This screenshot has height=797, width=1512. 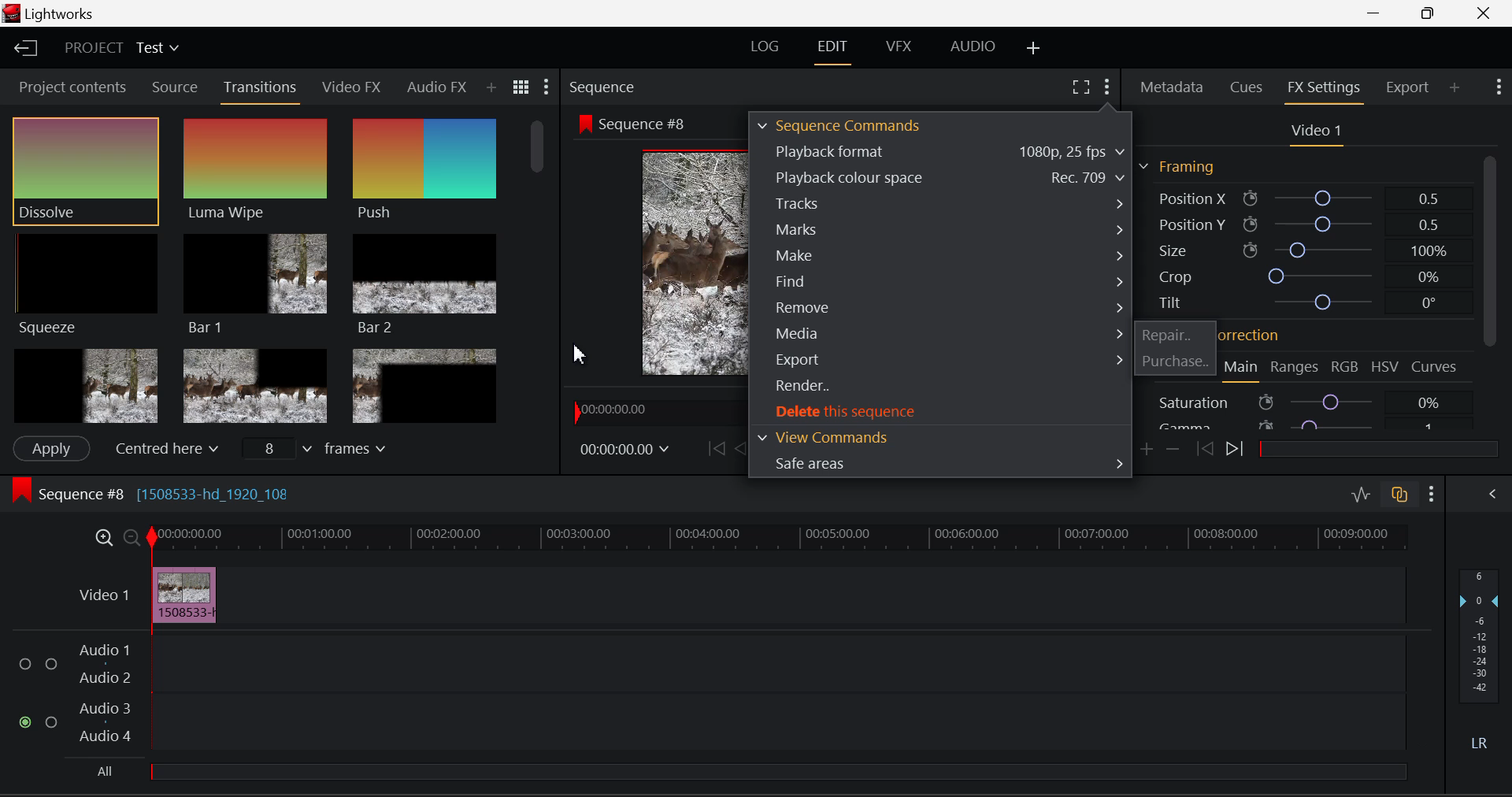 I want to click on Cursor Click to Exit Menu, so click(x=582, y=354).